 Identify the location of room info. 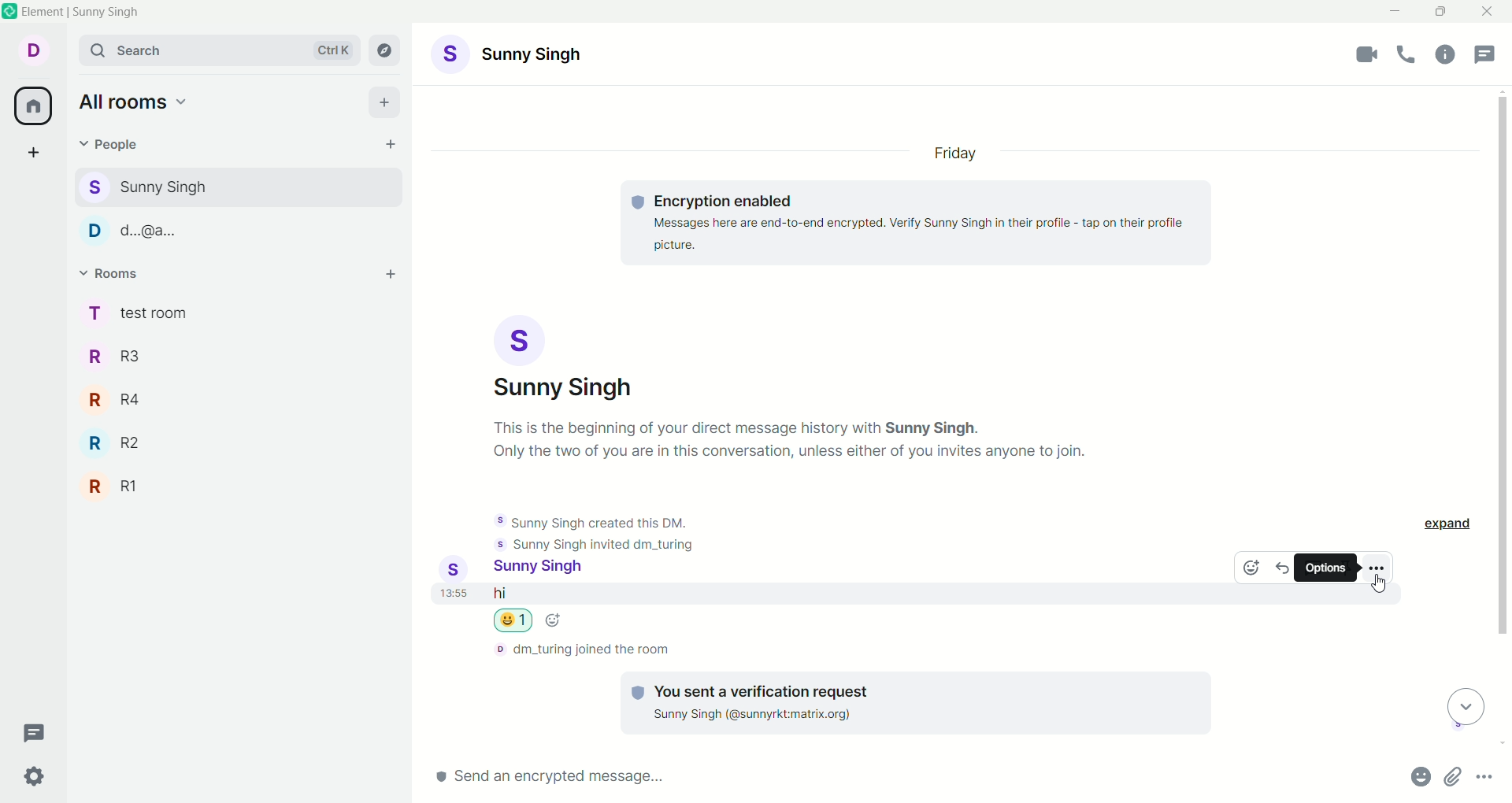
(1449, 55).